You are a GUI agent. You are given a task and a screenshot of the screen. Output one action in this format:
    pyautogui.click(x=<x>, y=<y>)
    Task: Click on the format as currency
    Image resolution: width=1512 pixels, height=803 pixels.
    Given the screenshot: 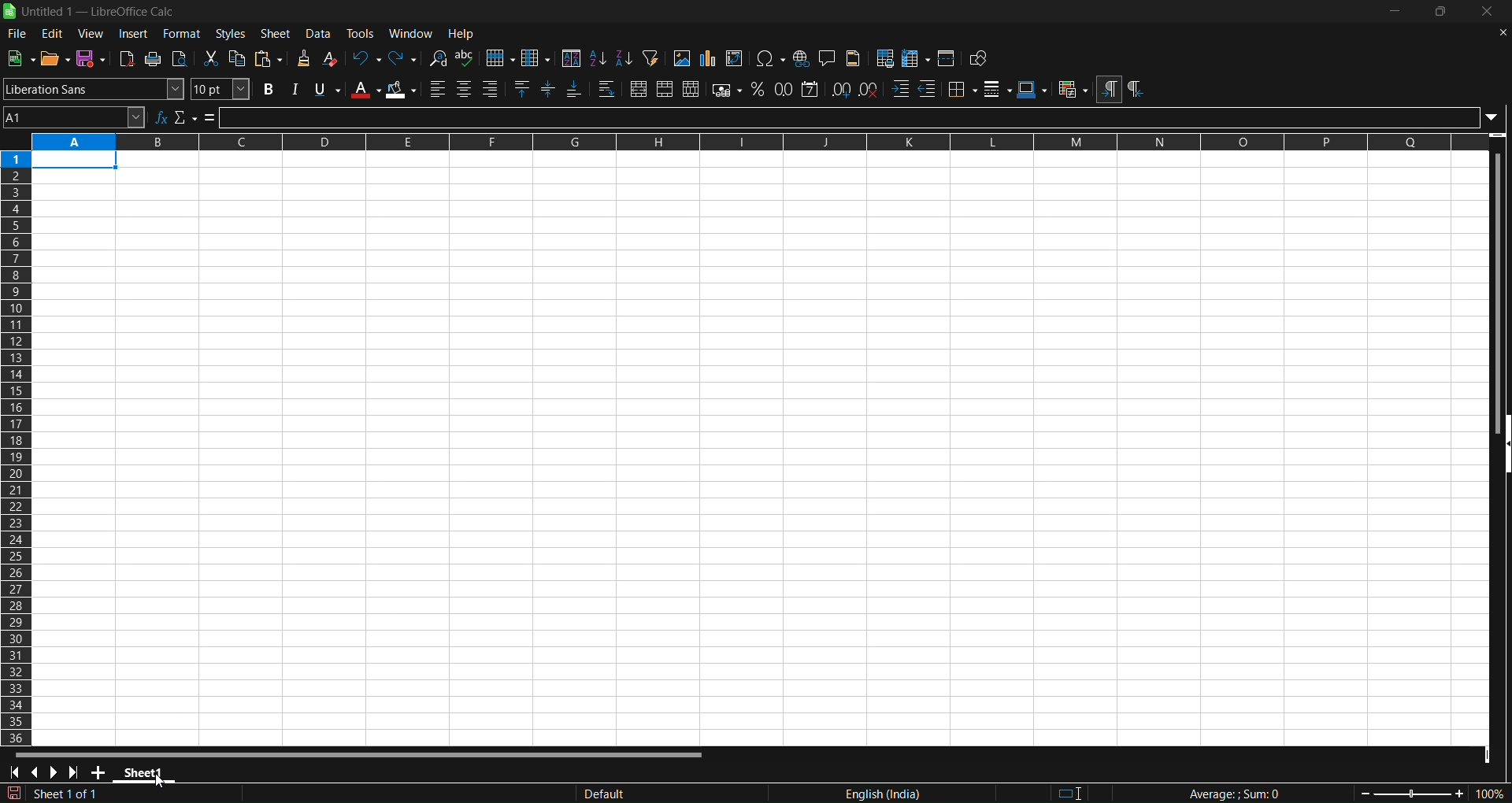 What is the action you would take?
    pyautogui.click(x=728, y=91)
    